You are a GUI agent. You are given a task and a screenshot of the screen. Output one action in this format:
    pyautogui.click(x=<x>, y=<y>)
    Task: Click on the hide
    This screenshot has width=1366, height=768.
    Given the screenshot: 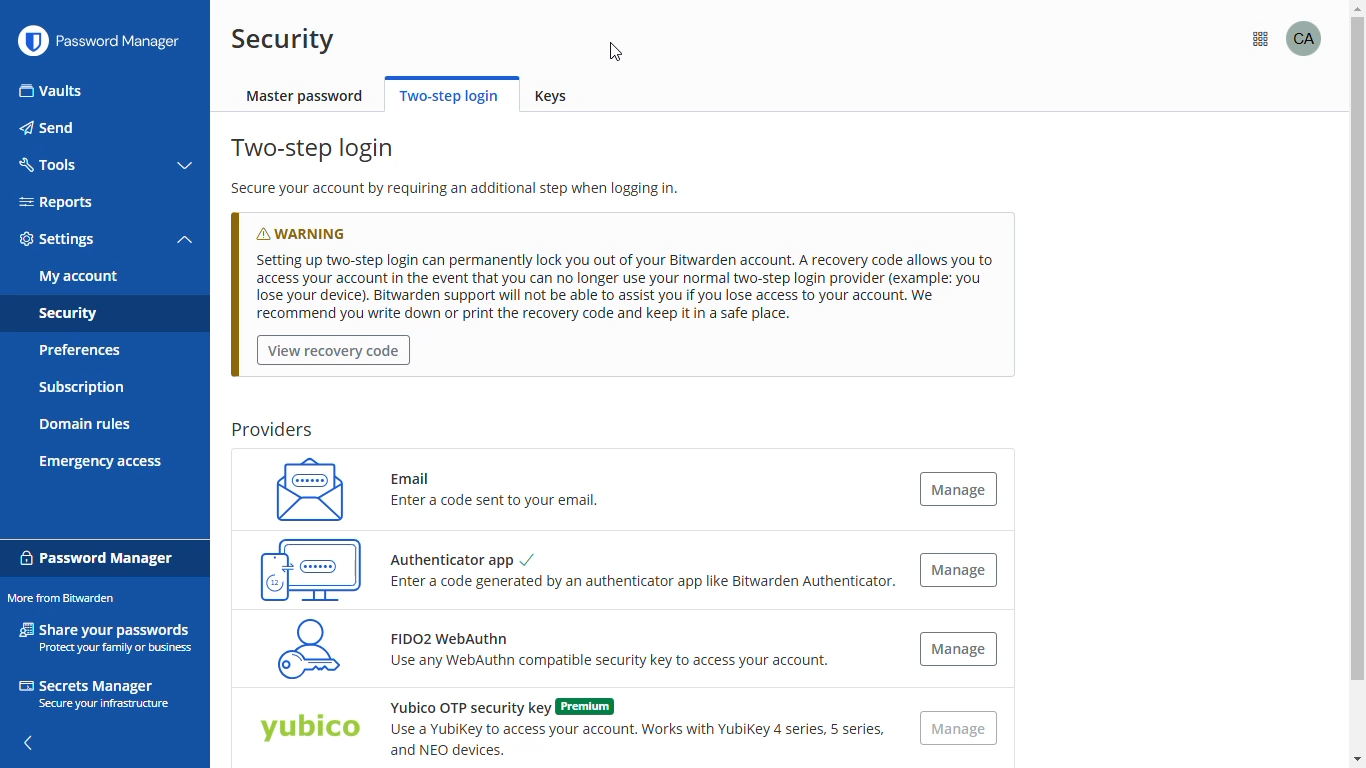 What is the action you would take?
    pyautogui.click(x=26, y=737)
    